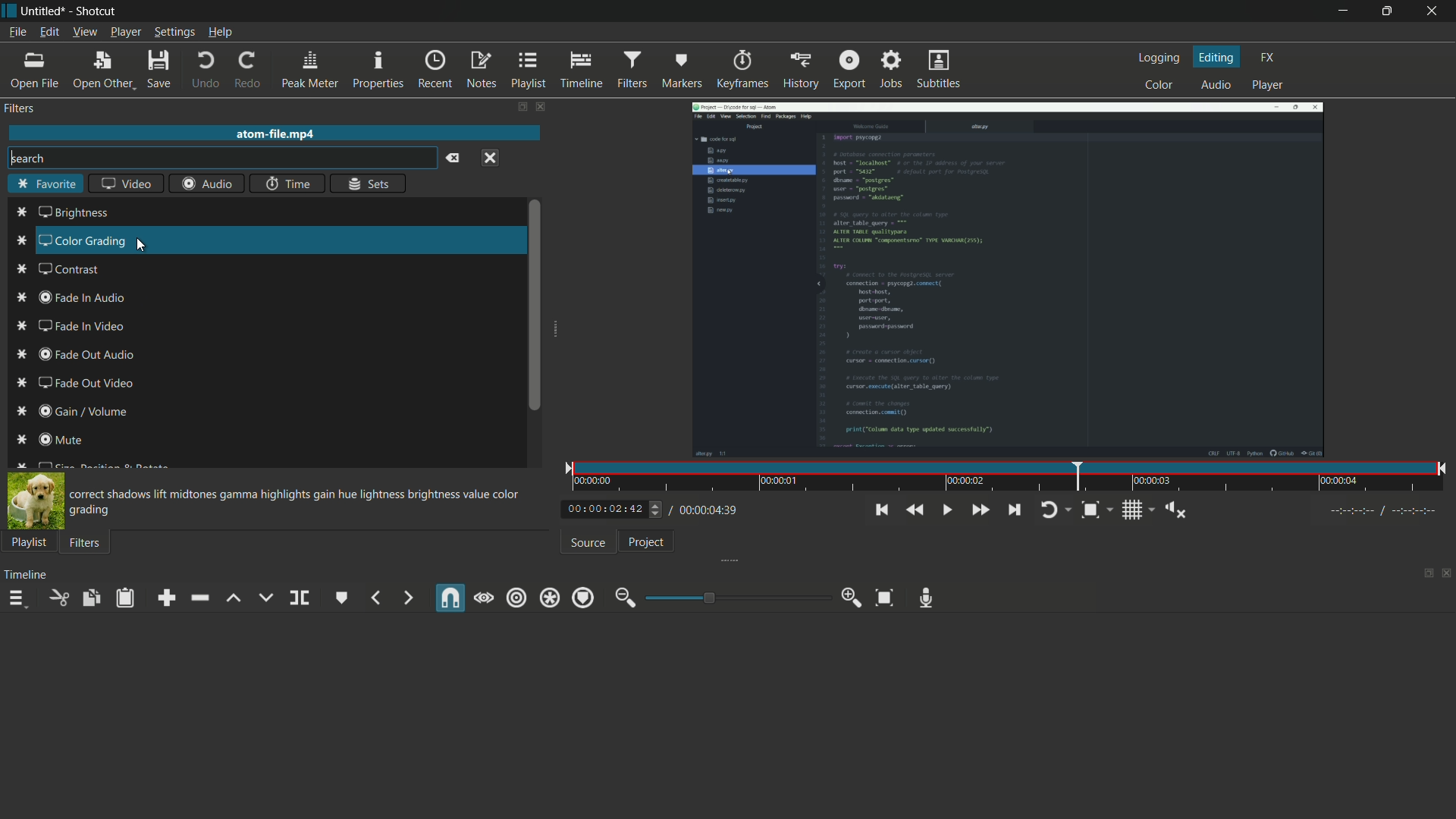 The height and width of the screenshot is (819, 1456). I want to click on help menu, so click(221, 33).